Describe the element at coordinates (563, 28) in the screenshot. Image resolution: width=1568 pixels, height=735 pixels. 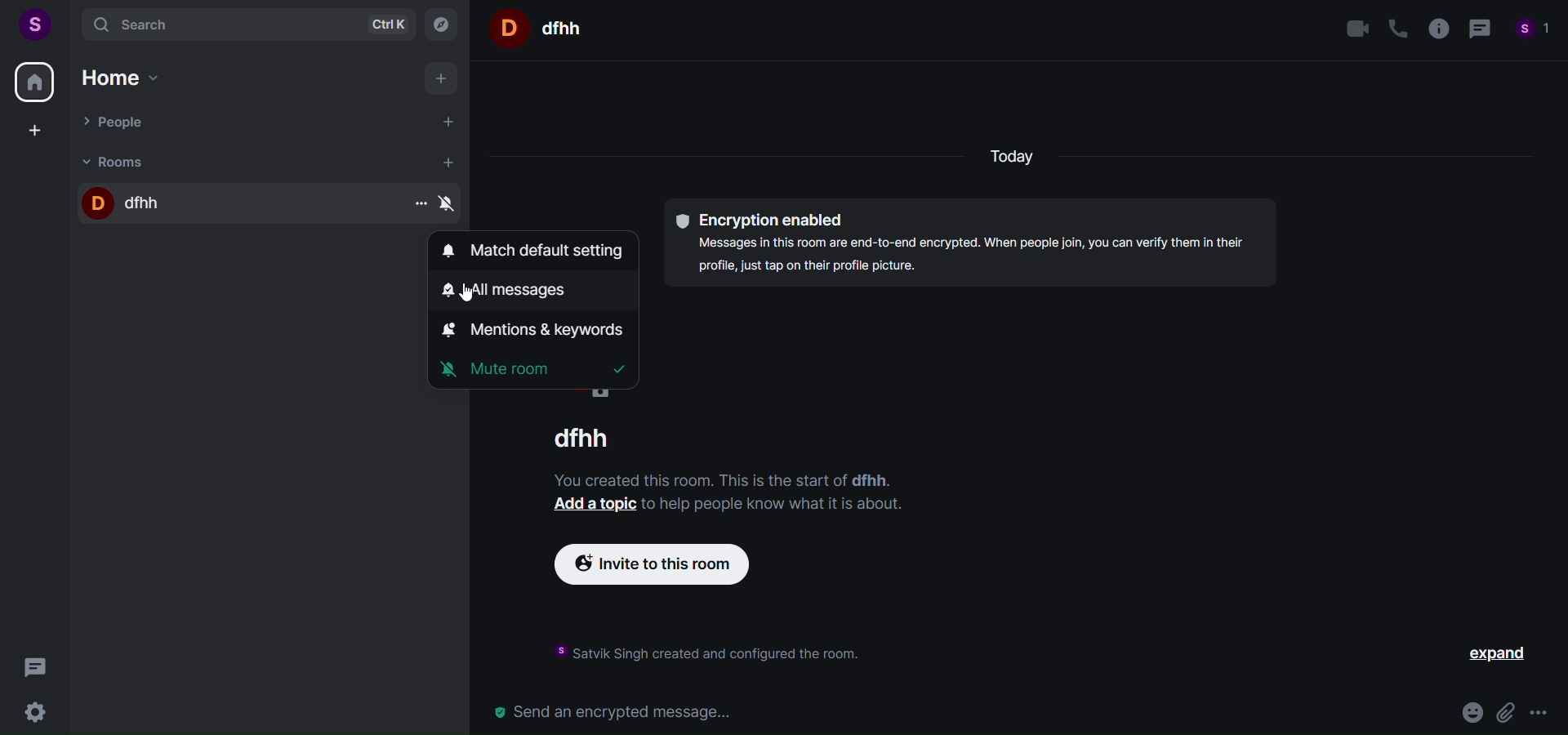
I see `dfhh` at that location.